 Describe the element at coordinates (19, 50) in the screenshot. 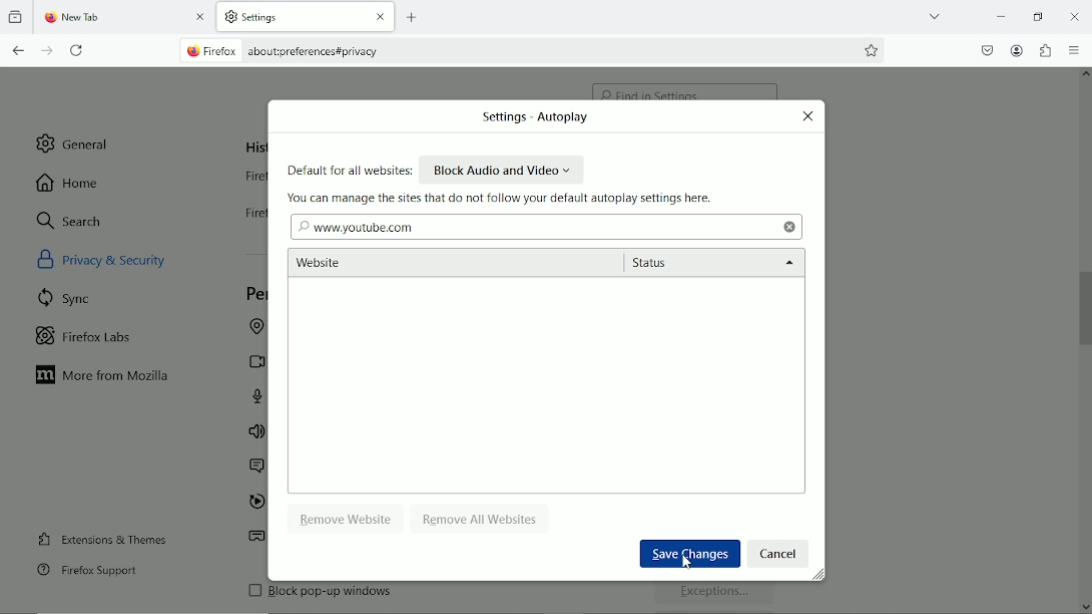

I see `go back` at that location.